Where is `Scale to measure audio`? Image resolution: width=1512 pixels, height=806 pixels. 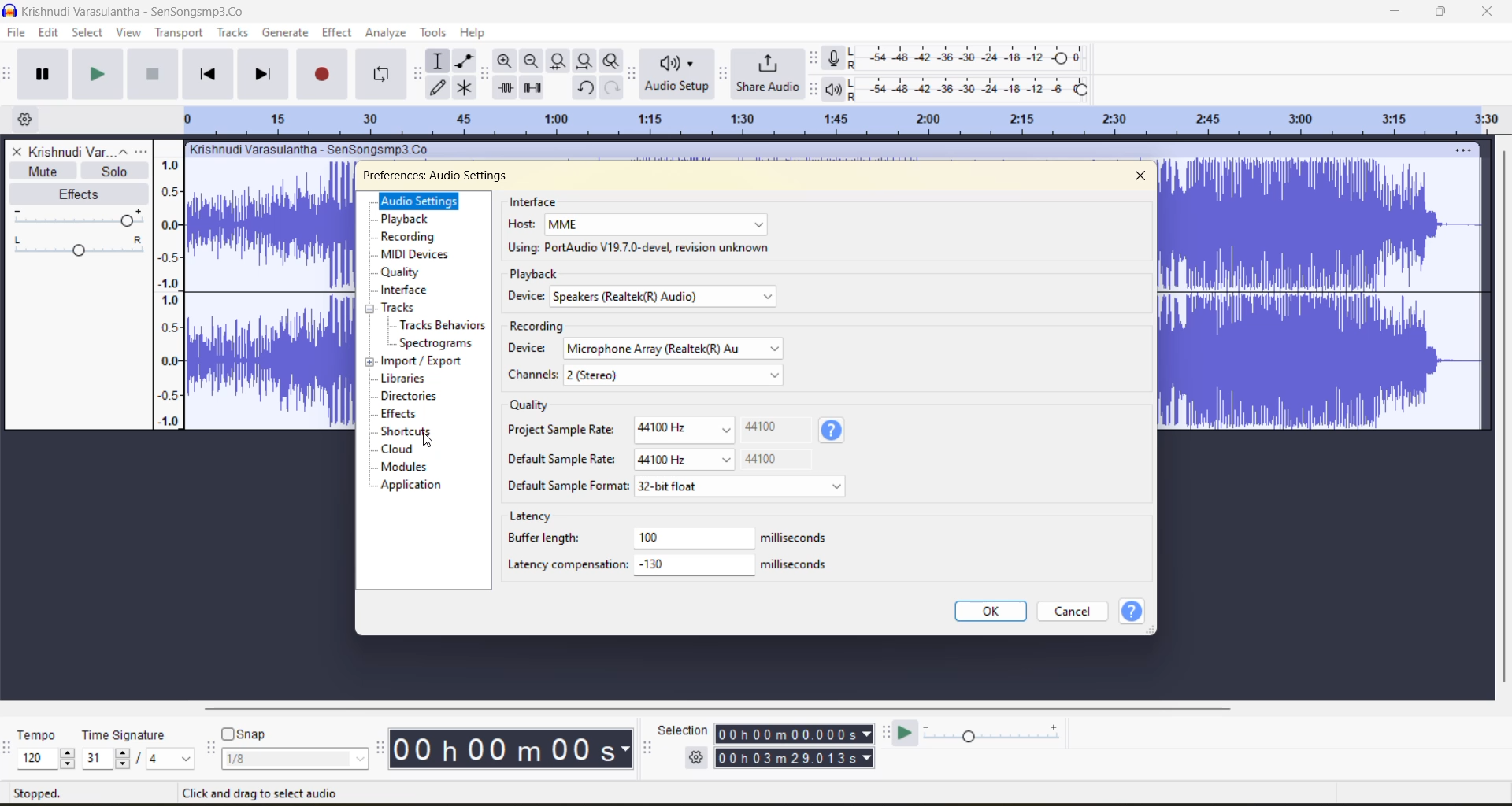
Scale to measure audio is located at coordinates (170, 284).